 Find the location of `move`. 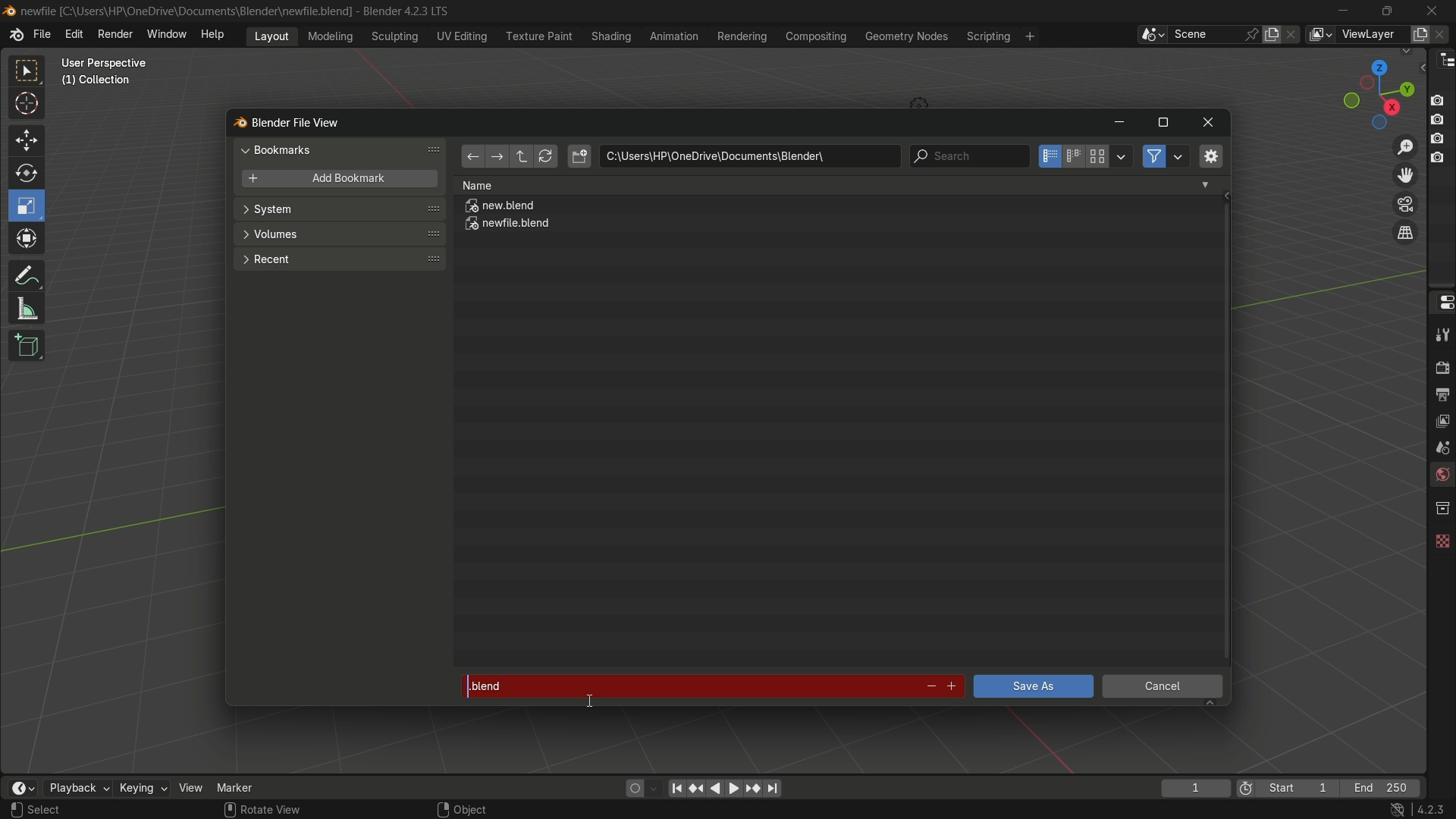

move is located at coordinates (25, 139).